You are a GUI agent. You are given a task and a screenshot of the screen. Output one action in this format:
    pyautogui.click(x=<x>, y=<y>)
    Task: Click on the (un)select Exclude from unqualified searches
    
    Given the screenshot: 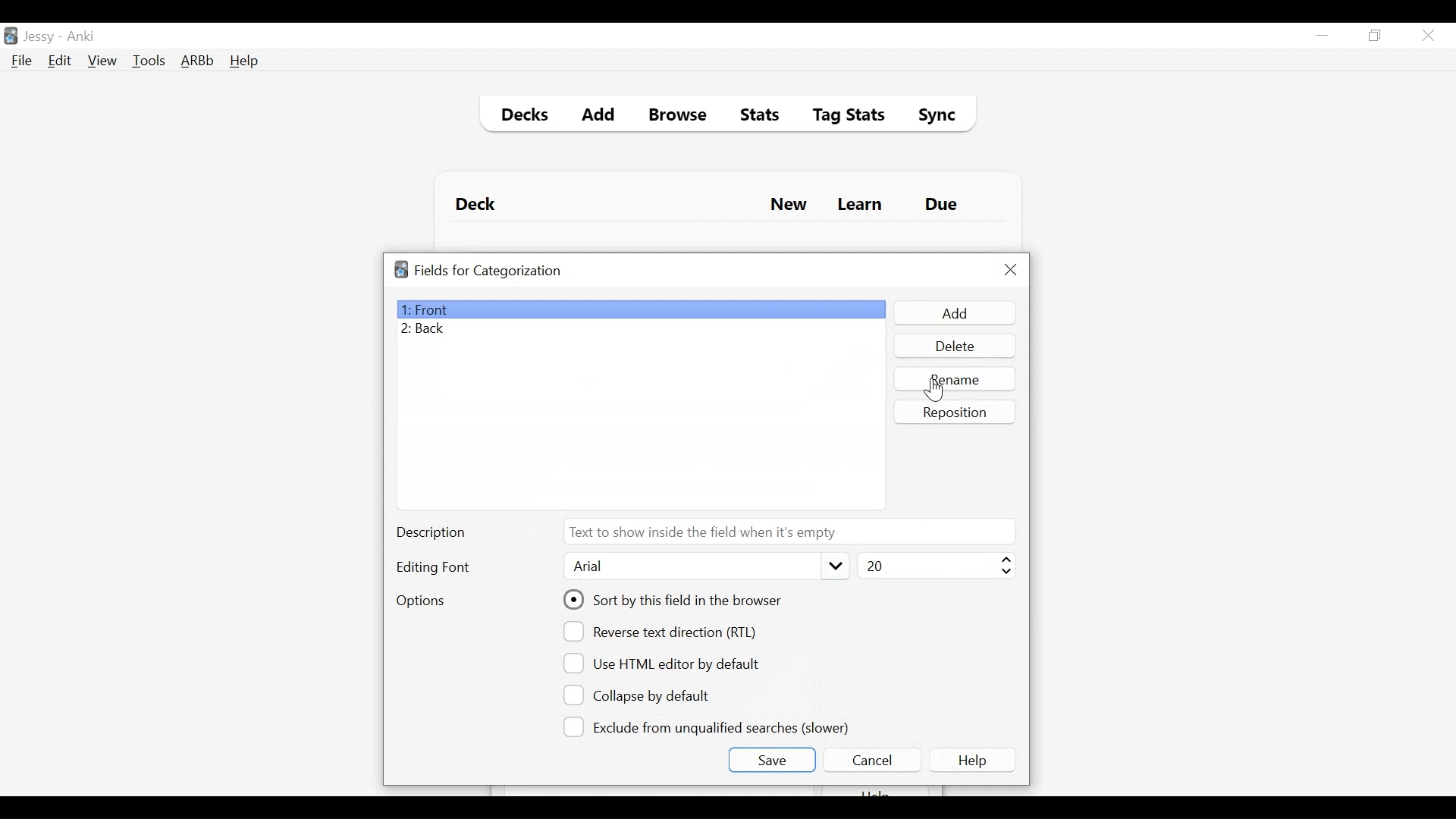 What is the action you would take?
    pyautogui.click(x=709, y=726)
    